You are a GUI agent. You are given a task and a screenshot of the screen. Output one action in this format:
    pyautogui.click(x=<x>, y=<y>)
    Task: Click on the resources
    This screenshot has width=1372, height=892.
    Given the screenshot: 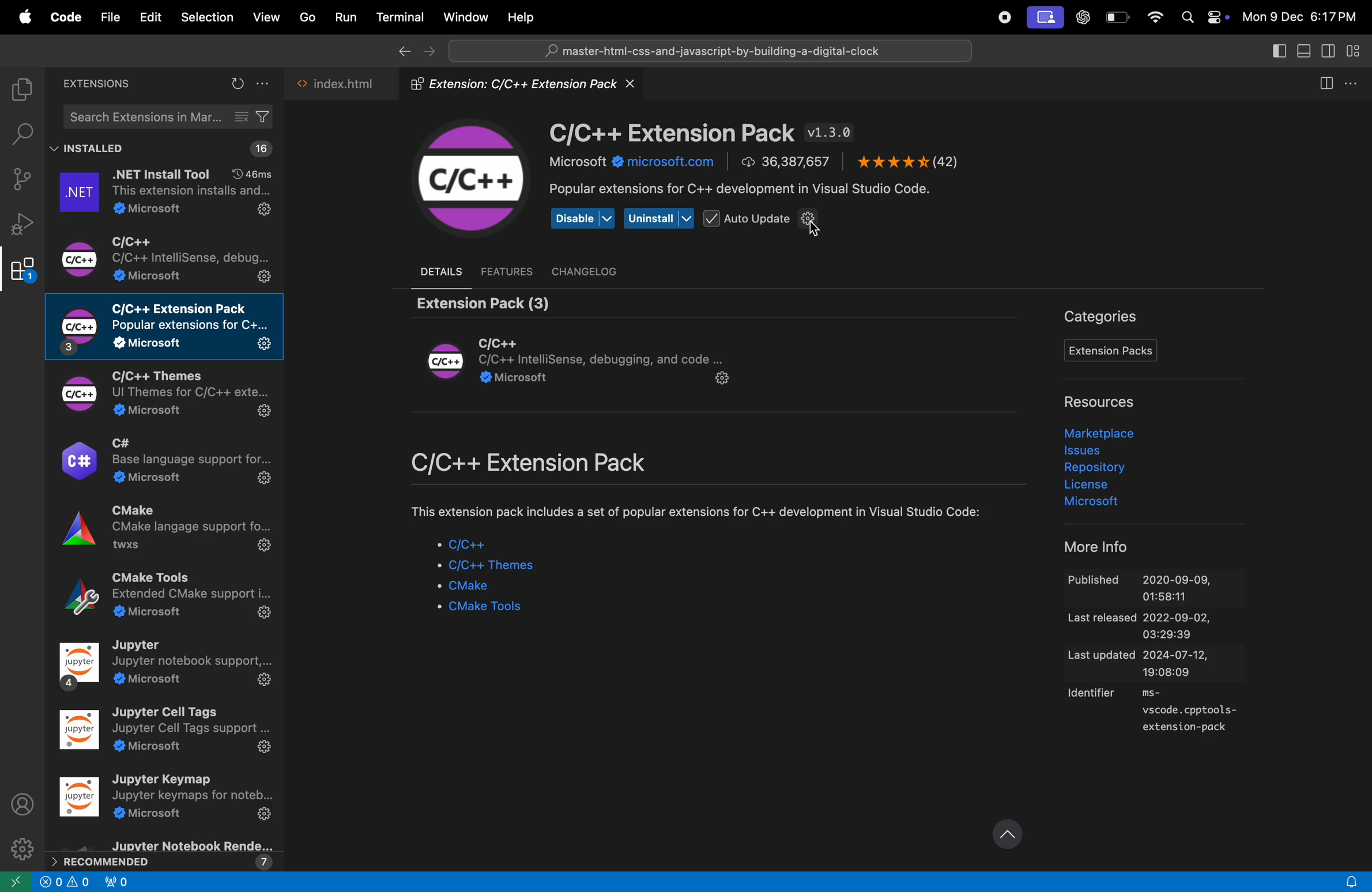 What is the action you would take?
    pyautogui.click(x=1096, y=403)
    